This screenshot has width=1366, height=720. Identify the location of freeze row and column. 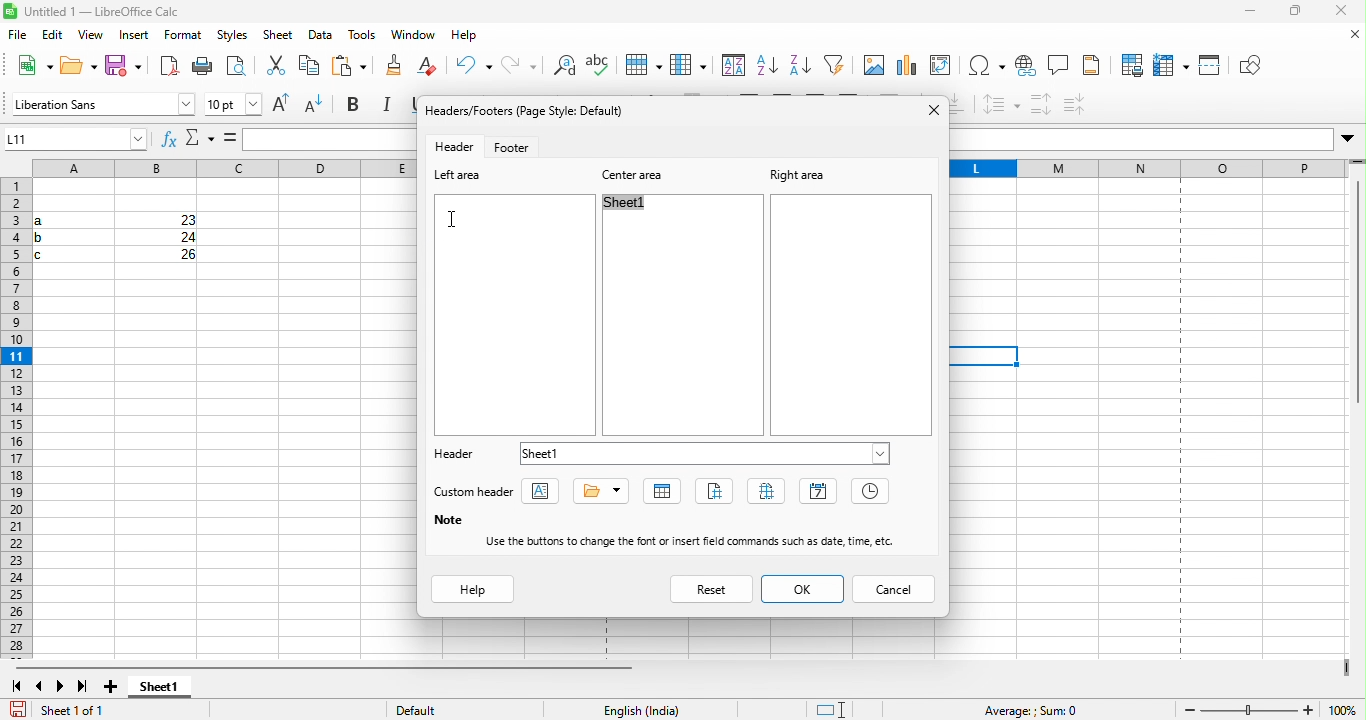
(1165, 65).